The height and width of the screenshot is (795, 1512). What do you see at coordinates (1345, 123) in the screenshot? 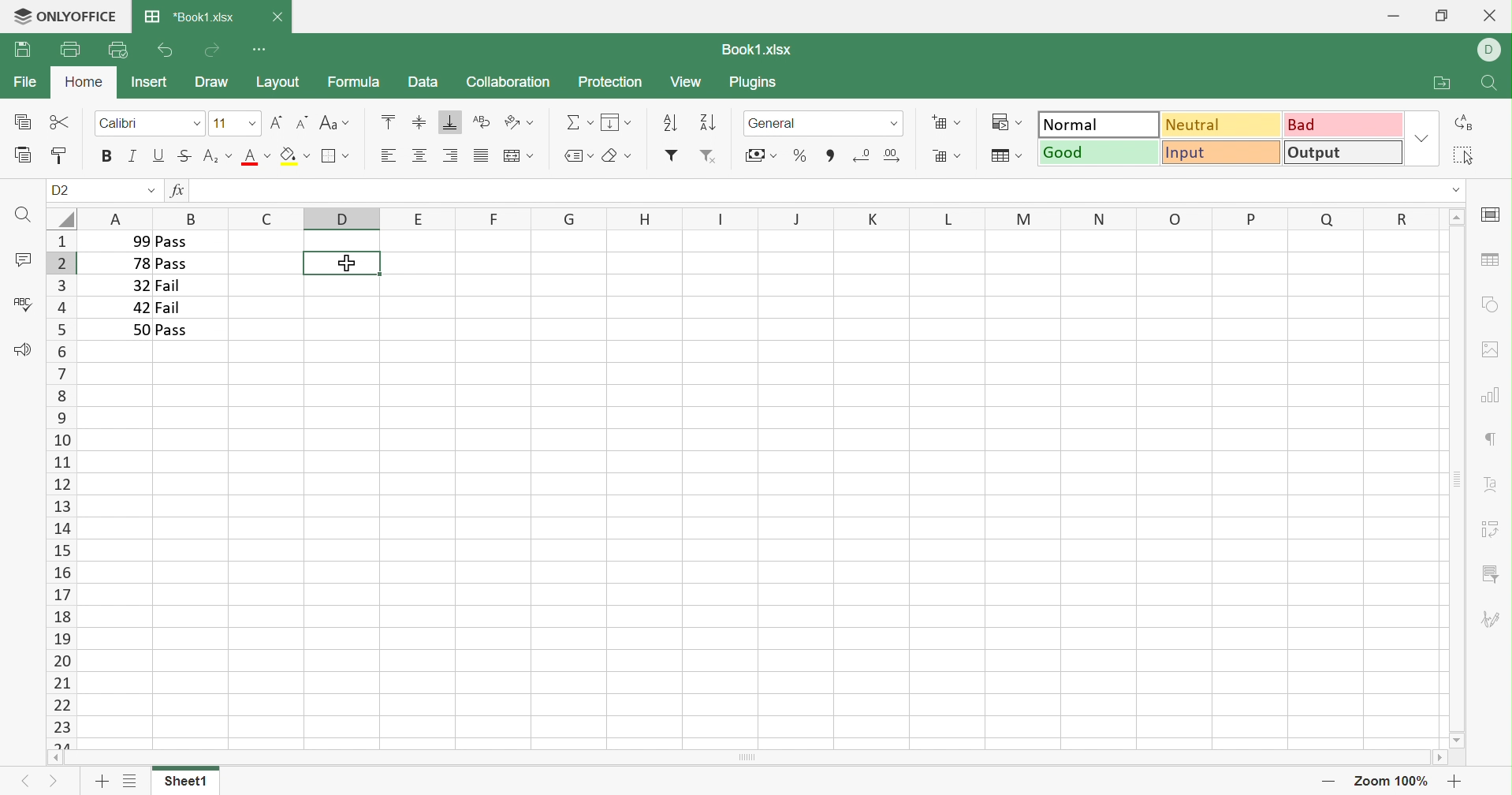
I see `Bad` at bounding box center [1345, 123].